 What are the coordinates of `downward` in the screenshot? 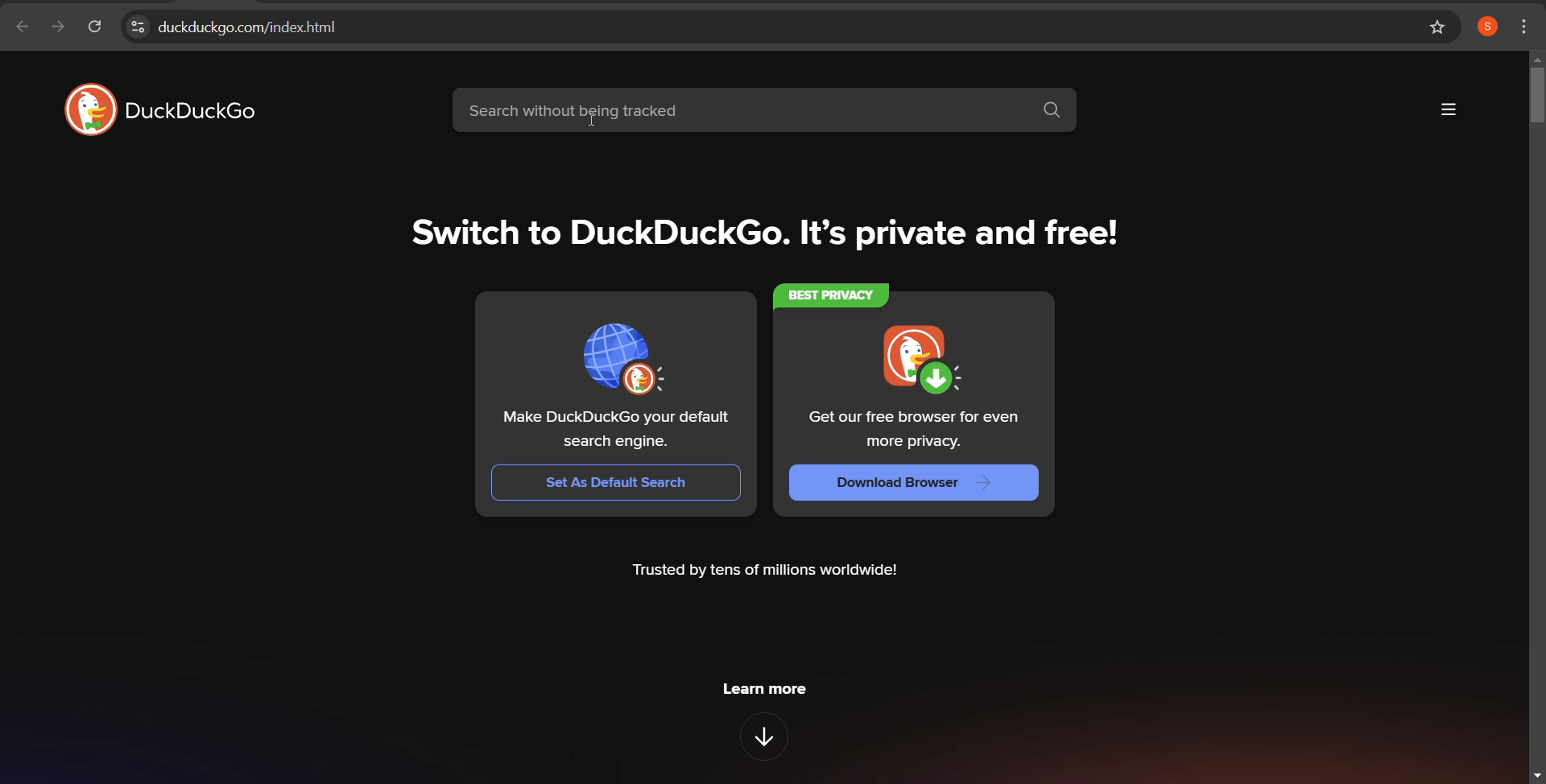 It's located at (771, 739).